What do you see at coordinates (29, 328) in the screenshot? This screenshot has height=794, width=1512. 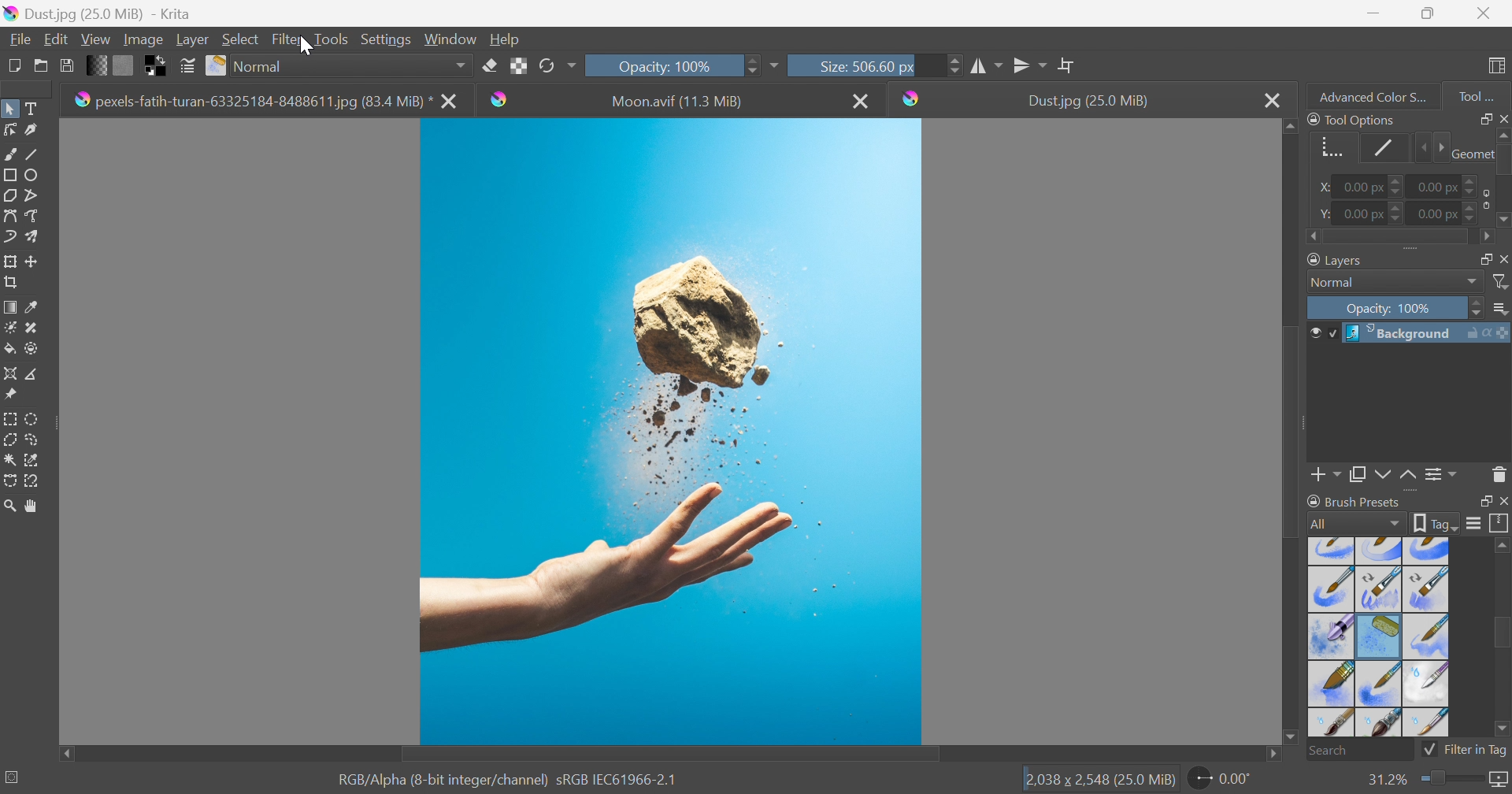 I see `Patch tool` at bounding box center [29, 328].